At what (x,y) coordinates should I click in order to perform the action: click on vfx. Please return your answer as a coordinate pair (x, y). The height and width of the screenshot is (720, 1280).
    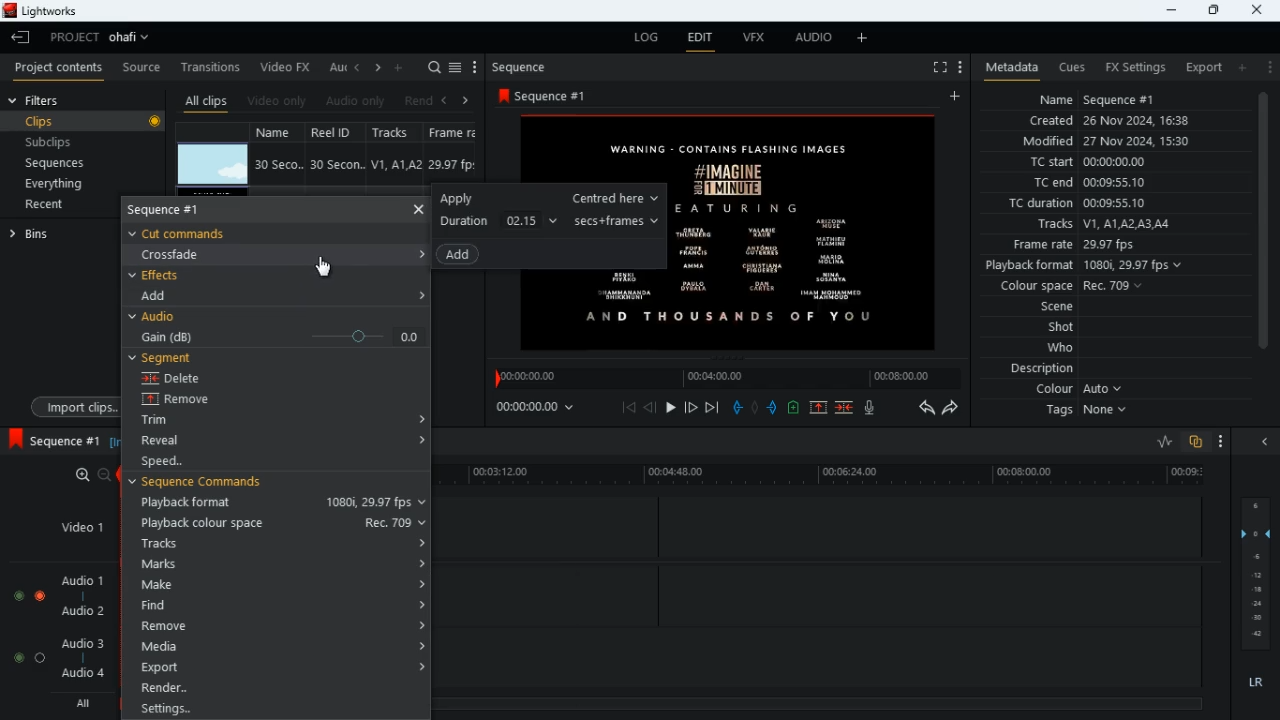
    Looking at the image, I should click on (752, 39).